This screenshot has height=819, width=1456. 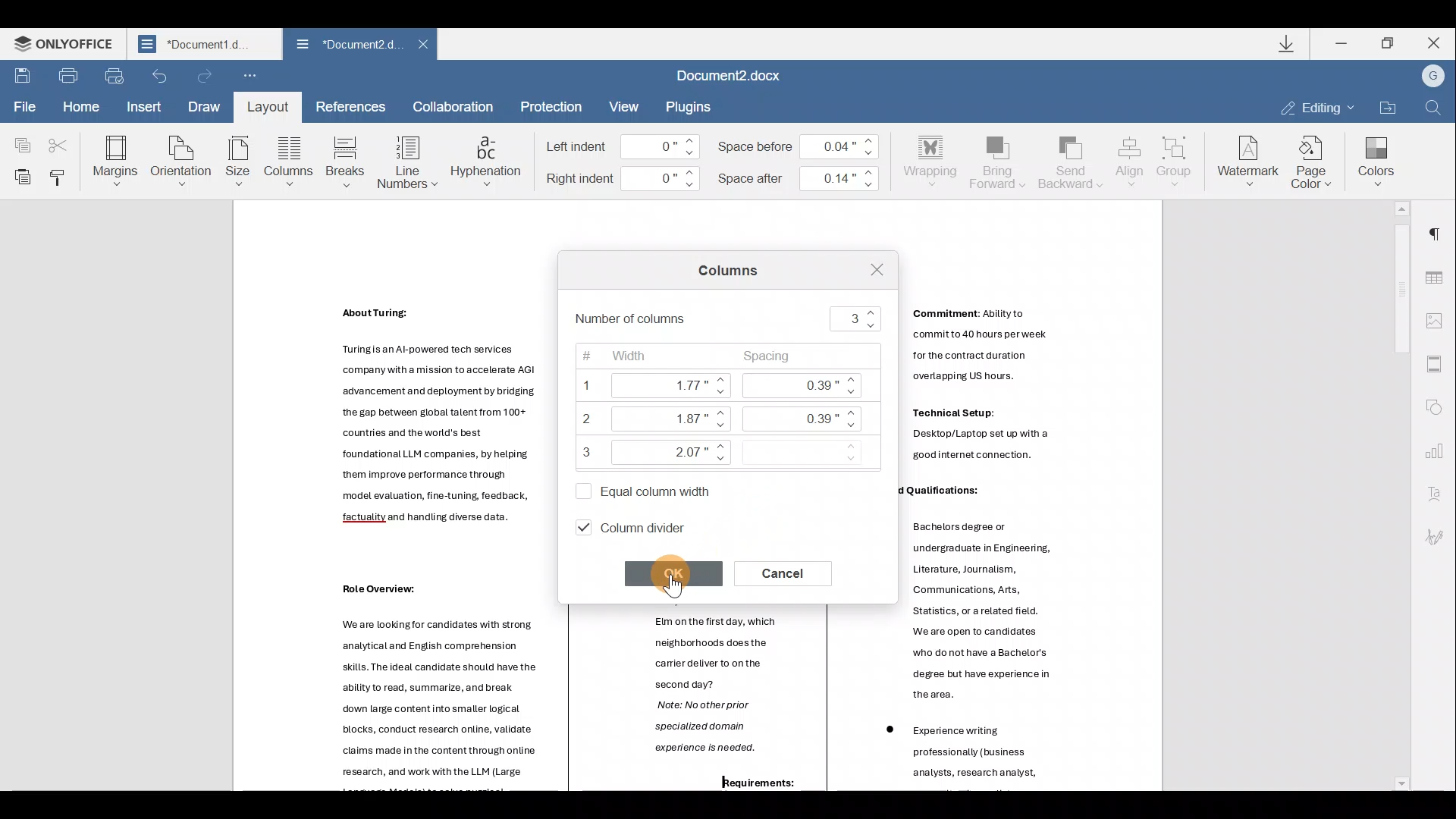 I want to click on Watermark, so click(x=1245, y=159).